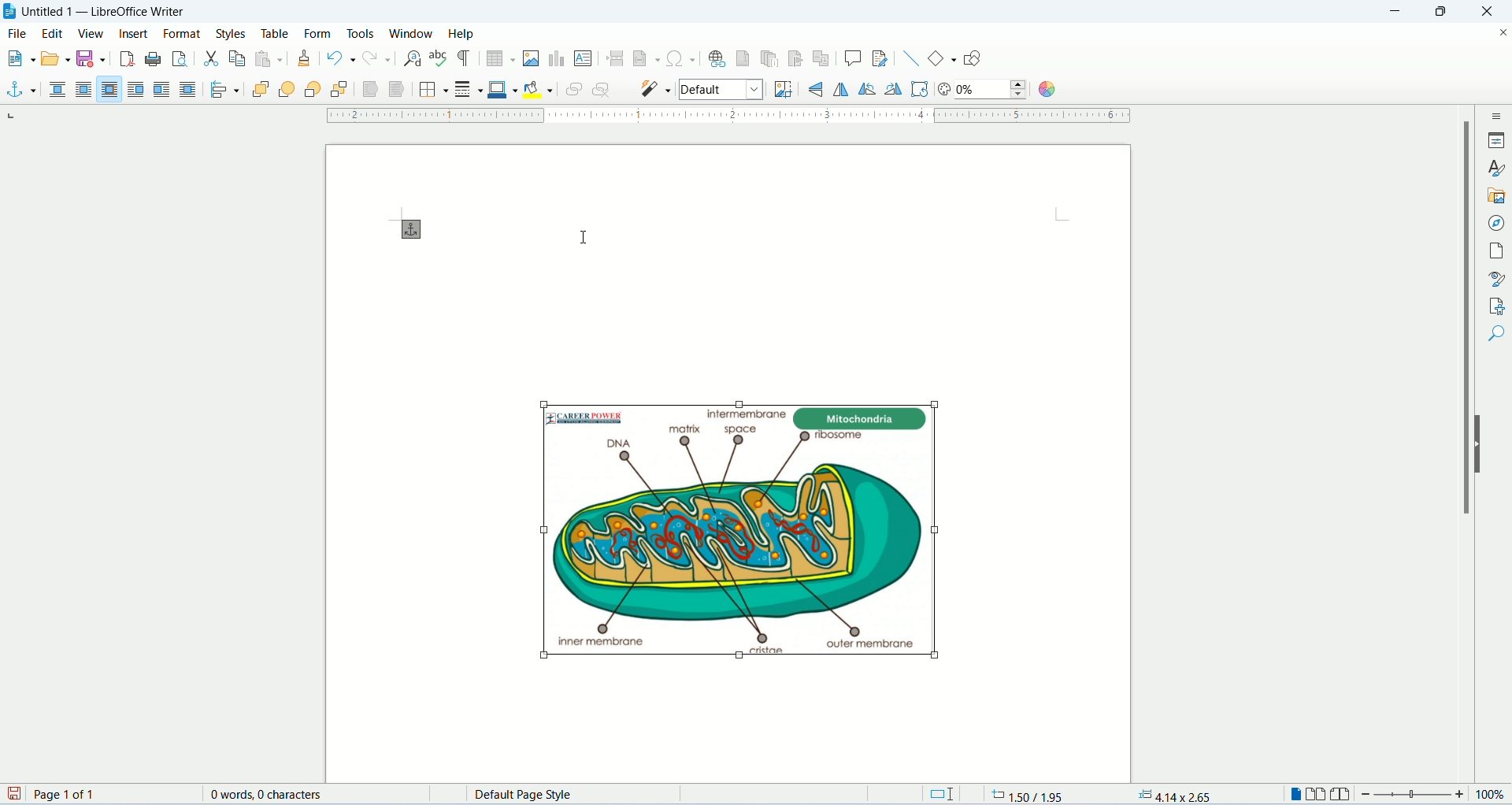 The width and height of the screenshot is (1512, 805). I want to click on view, so click(91, 35).